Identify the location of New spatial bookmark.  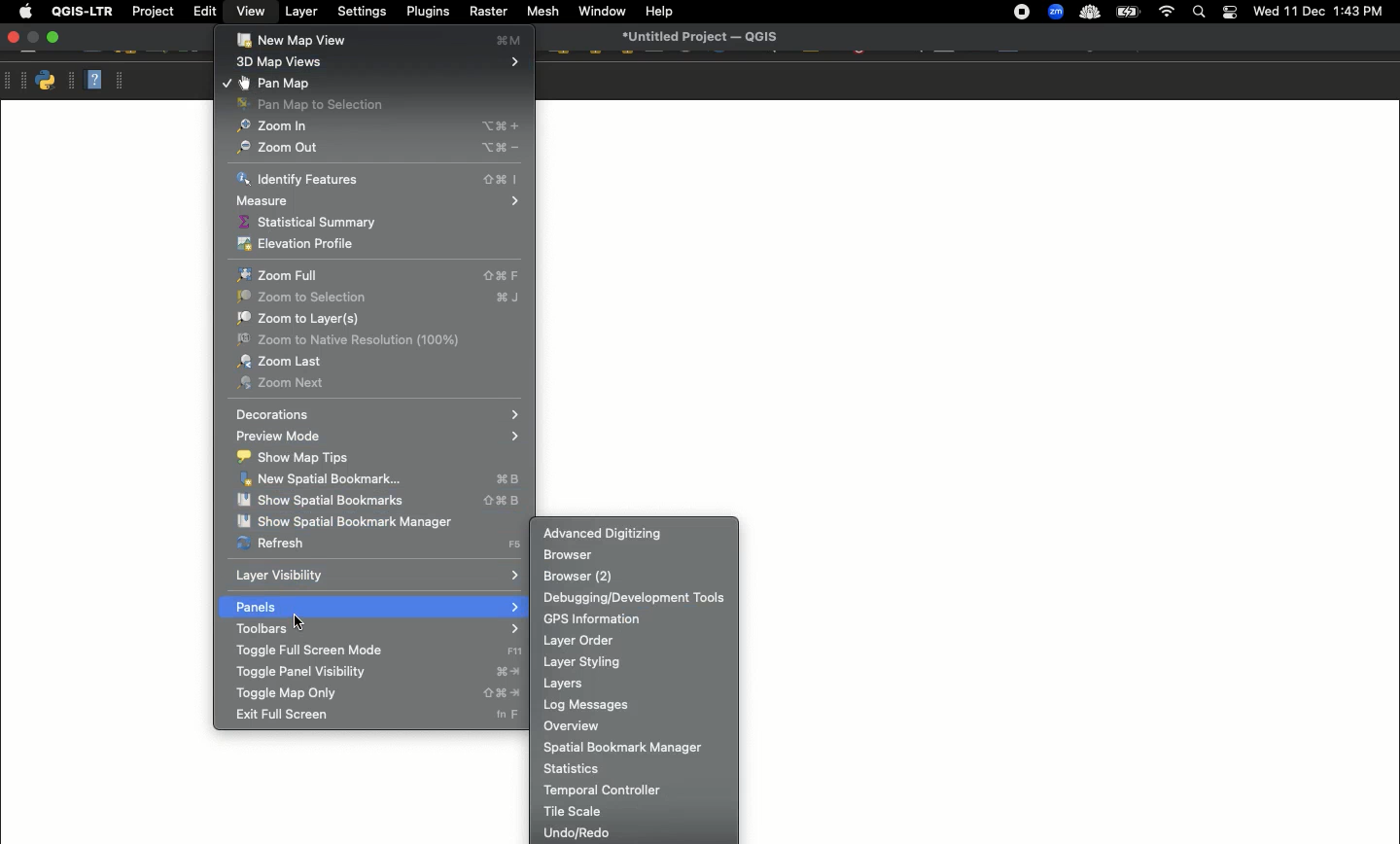
(380, 481).